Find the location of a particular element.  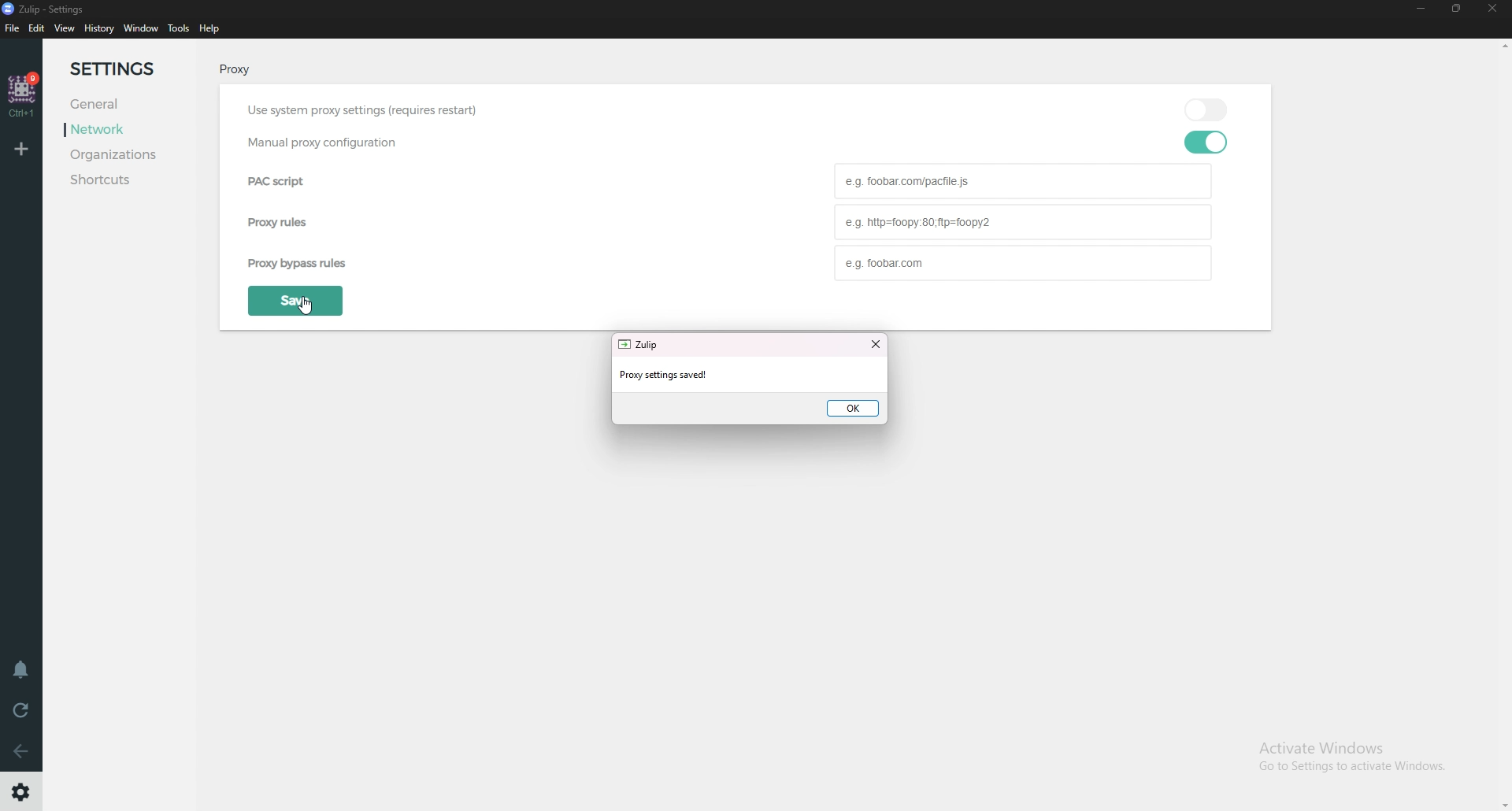

Cursor is located at coordinates (315, 310).